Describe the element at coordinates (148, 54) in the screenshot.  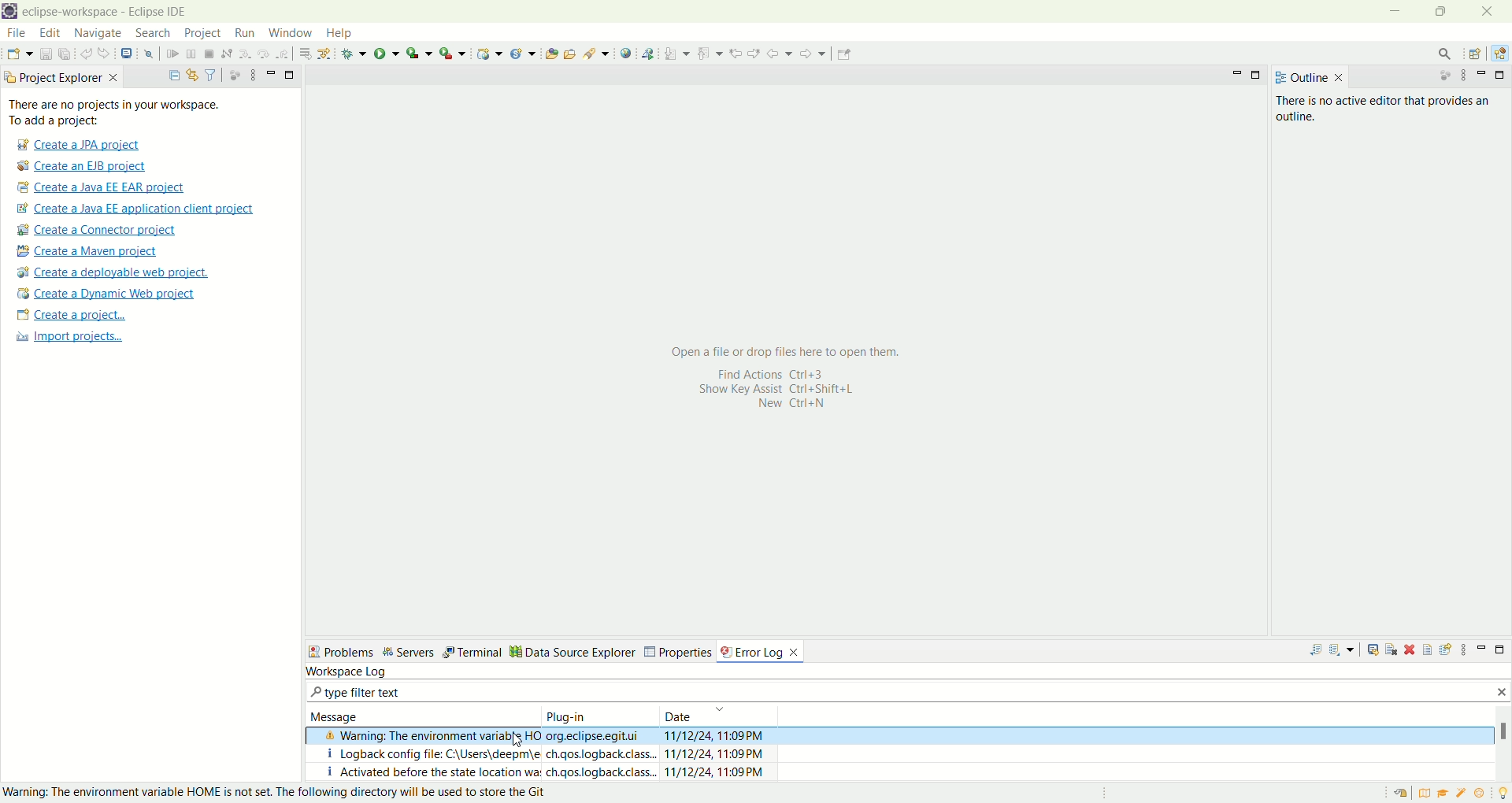
I see `skip all the breakpoints` at that location.